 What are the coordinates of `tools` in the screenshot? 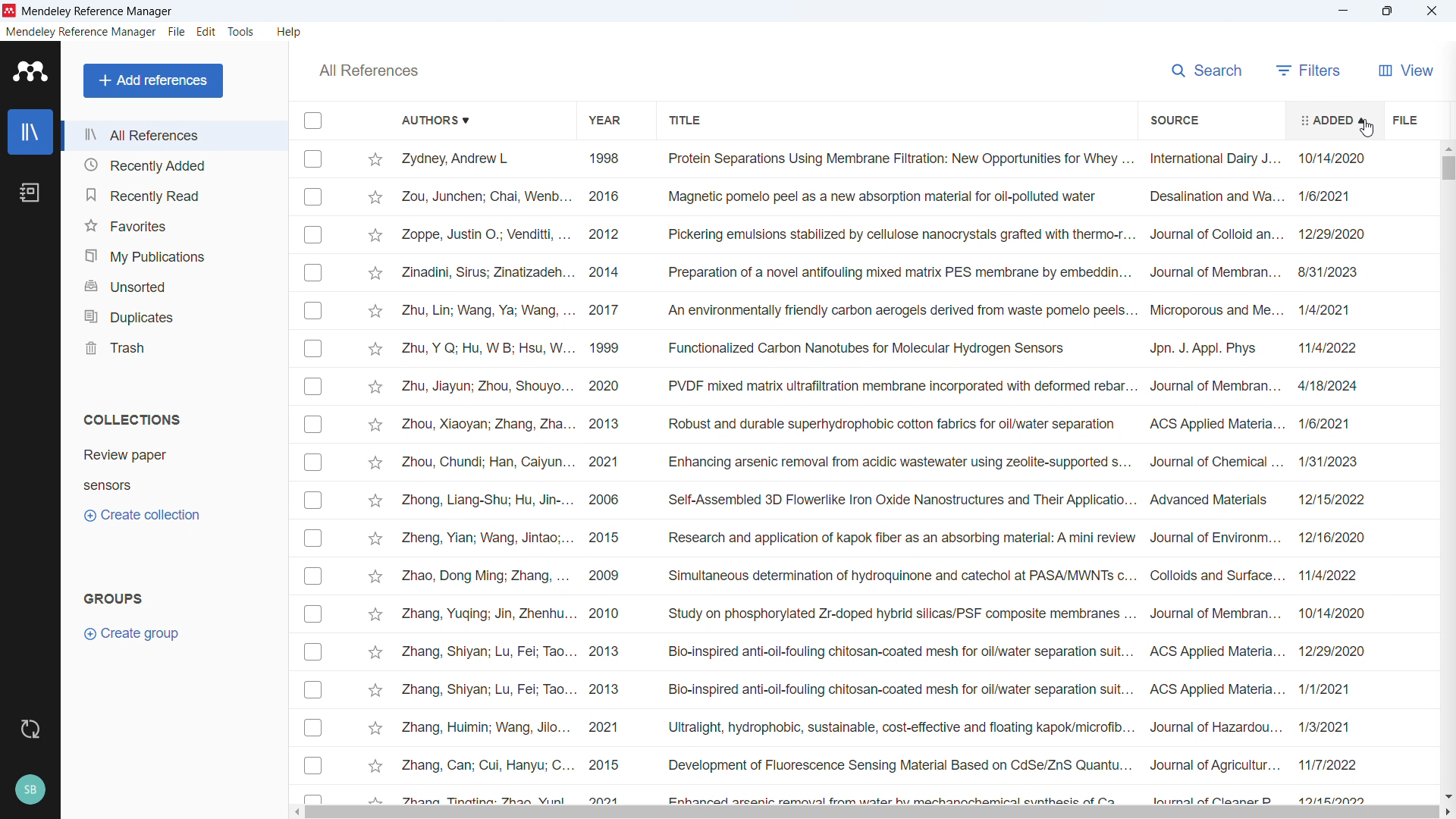 It's located at (242, 31).